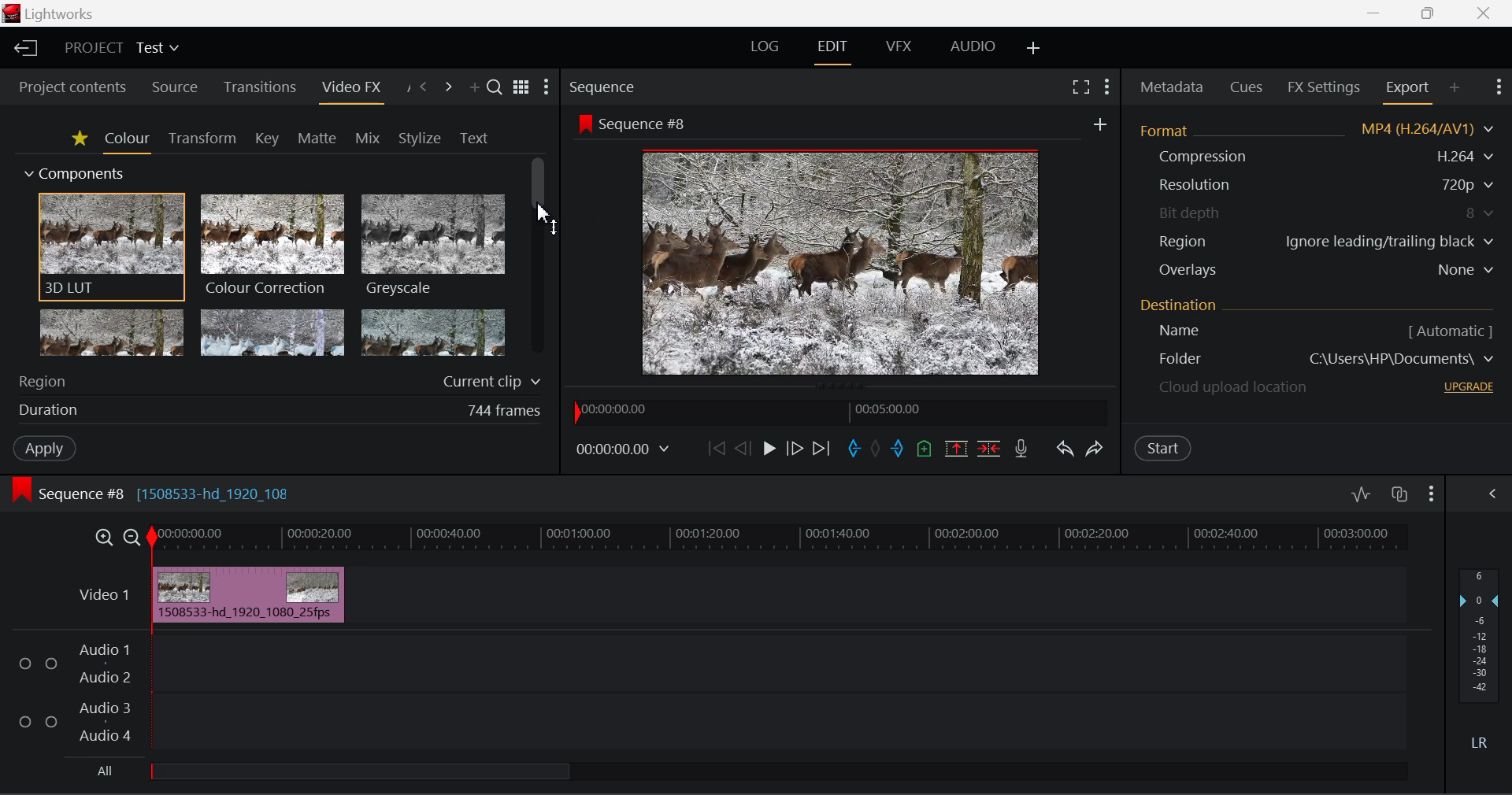 This screenshot has height=795, width=1512. What do you see at coordinates (714, 452) in the screenshot?
I see `To start` at bounding box center [714, 452].